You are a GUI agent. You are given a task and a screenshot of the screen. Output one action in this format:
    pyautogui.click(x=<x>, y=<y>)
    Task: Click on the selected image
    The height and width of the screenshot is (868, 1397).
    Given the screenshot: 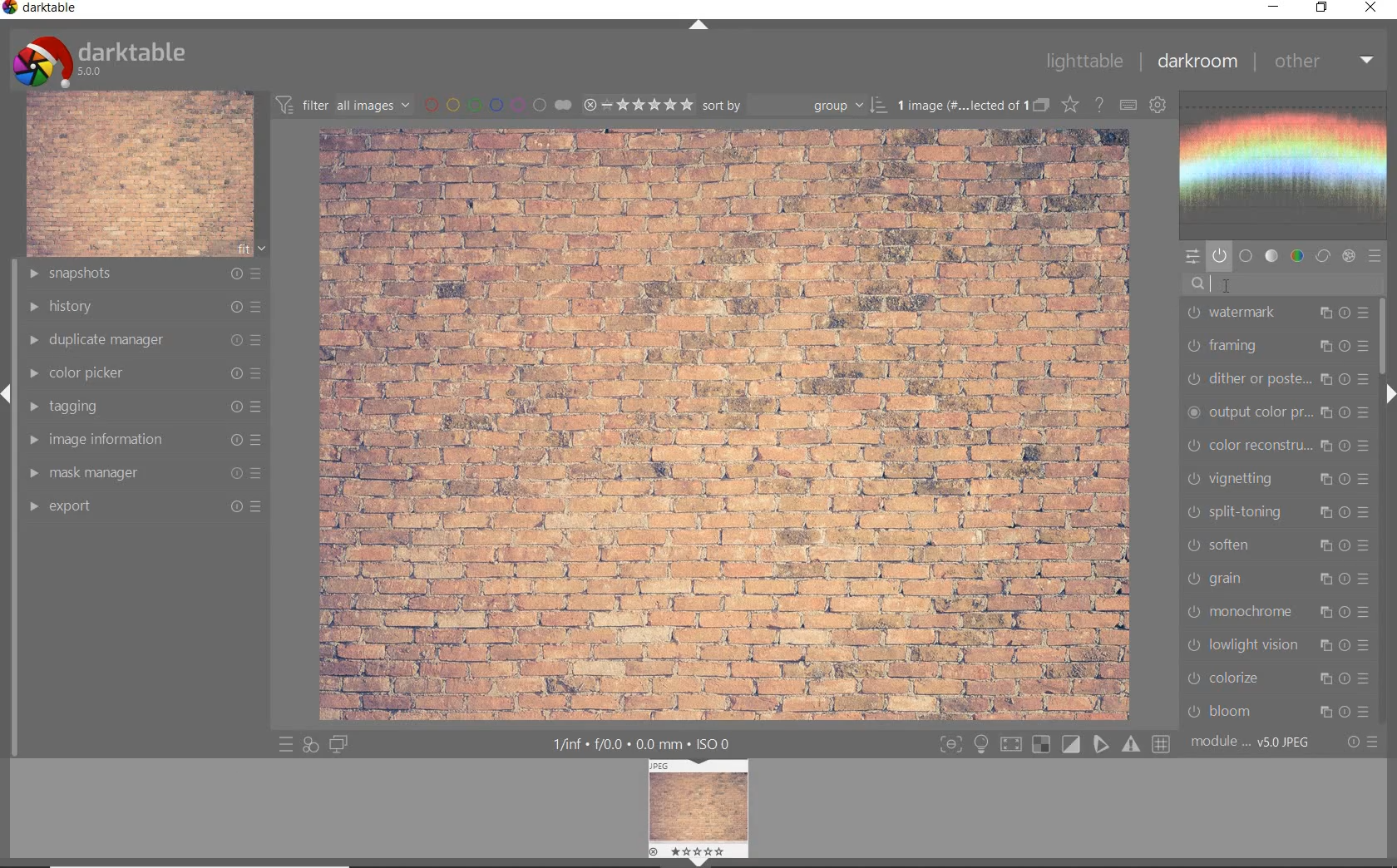 What is the action you would take?
    pyautogui.click(x=726, y=424)
    